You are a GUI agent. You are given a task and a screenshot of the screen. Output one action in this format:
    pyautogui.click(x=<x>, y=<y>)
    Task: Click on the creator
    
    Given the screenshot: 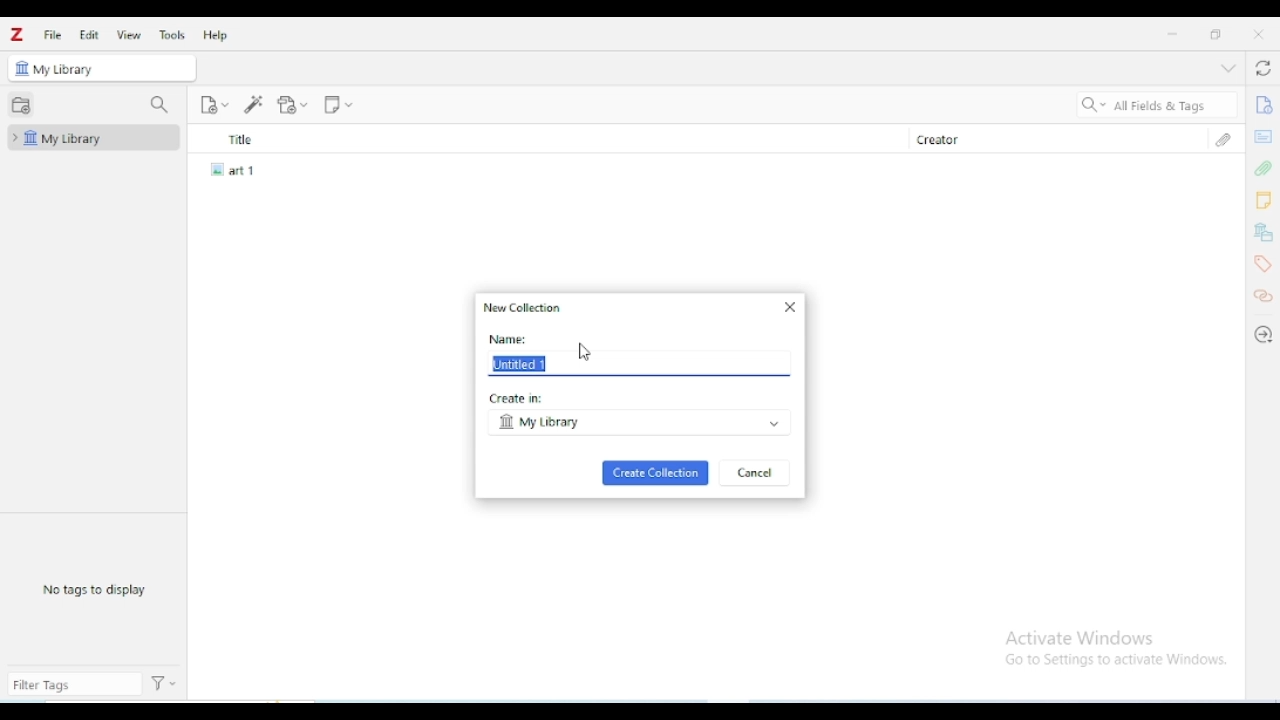 What is the action you would take?
    pyautogui.click(x=1043, y=139)
    